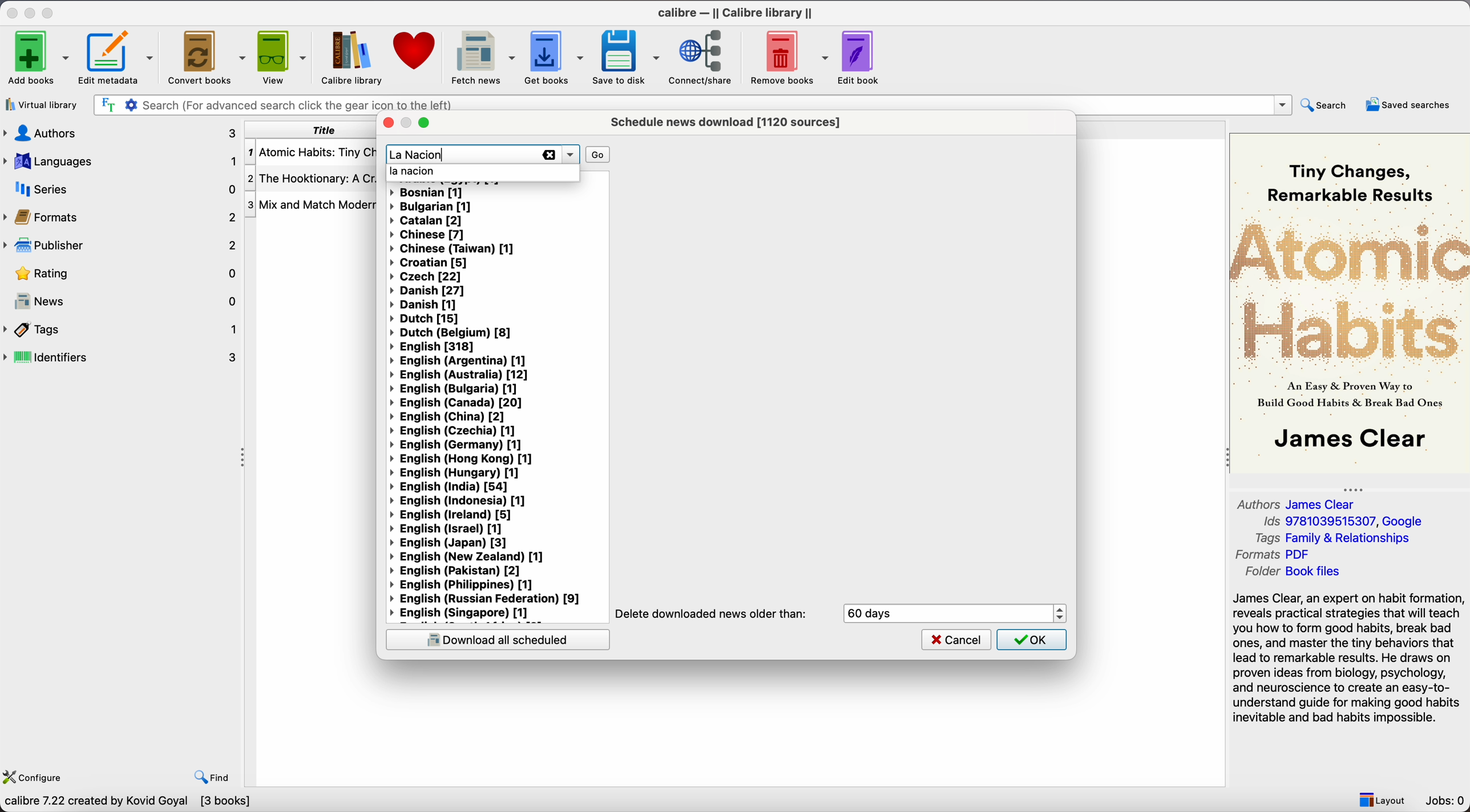  Describe the element at coordinates (387, 123) in the screenshot. I see `close popup` at that location.